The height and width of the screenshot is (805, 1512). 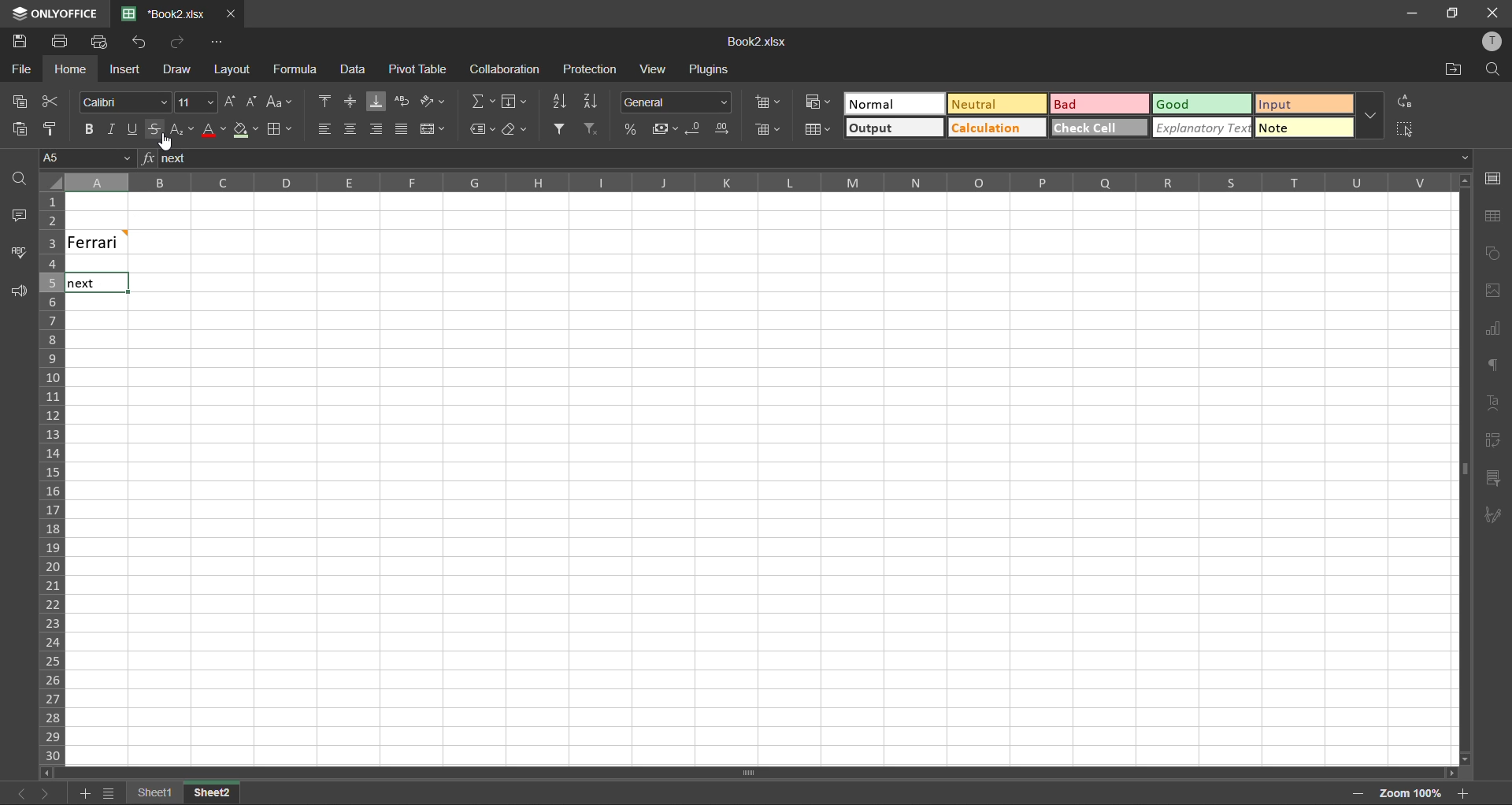 What do you see at coordinates (62, 43) in the screenshot?
I see `print` at bounding box center [62, 43].